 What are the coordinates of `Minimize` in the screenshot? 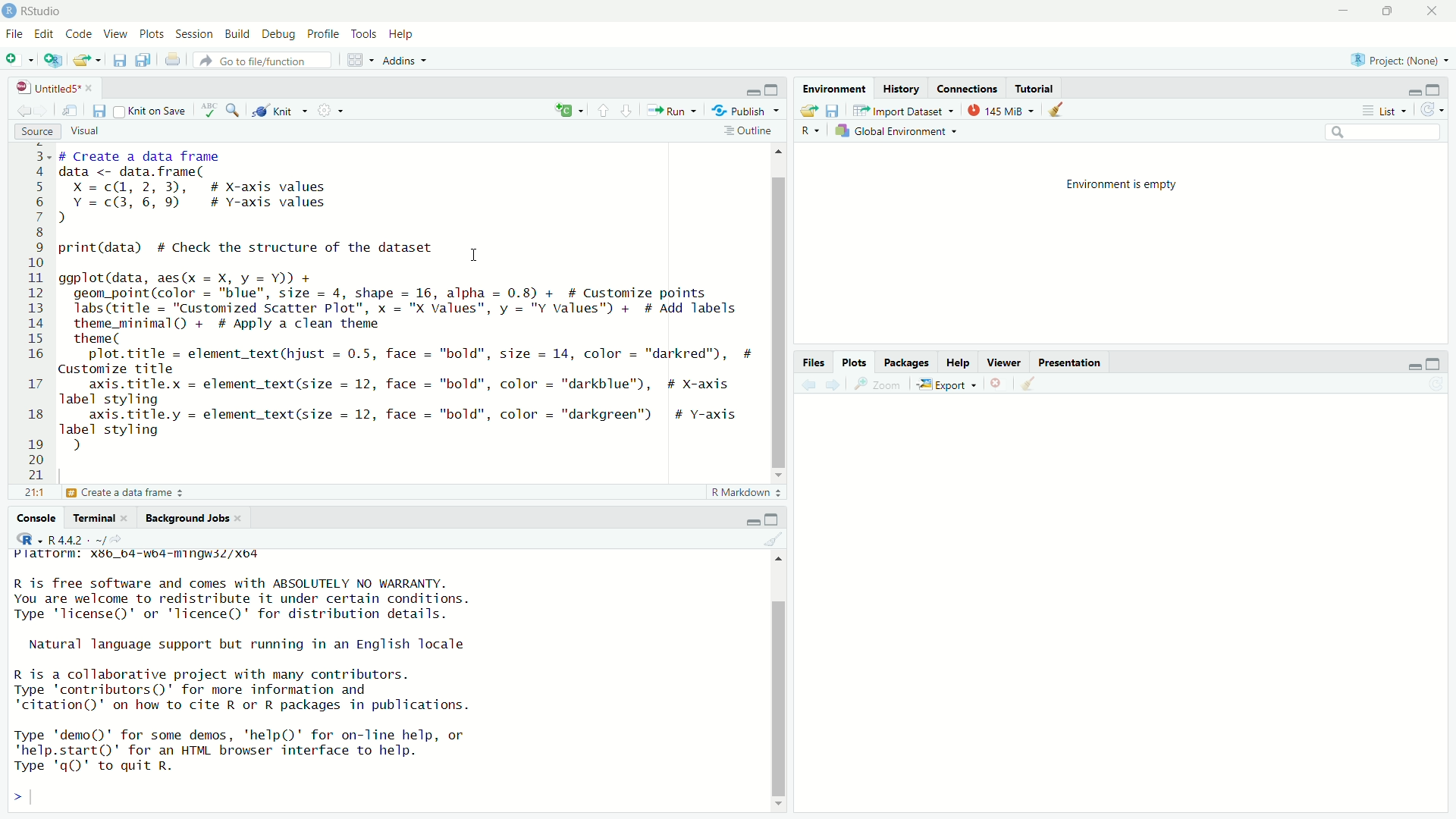 It's located at (754, 523).